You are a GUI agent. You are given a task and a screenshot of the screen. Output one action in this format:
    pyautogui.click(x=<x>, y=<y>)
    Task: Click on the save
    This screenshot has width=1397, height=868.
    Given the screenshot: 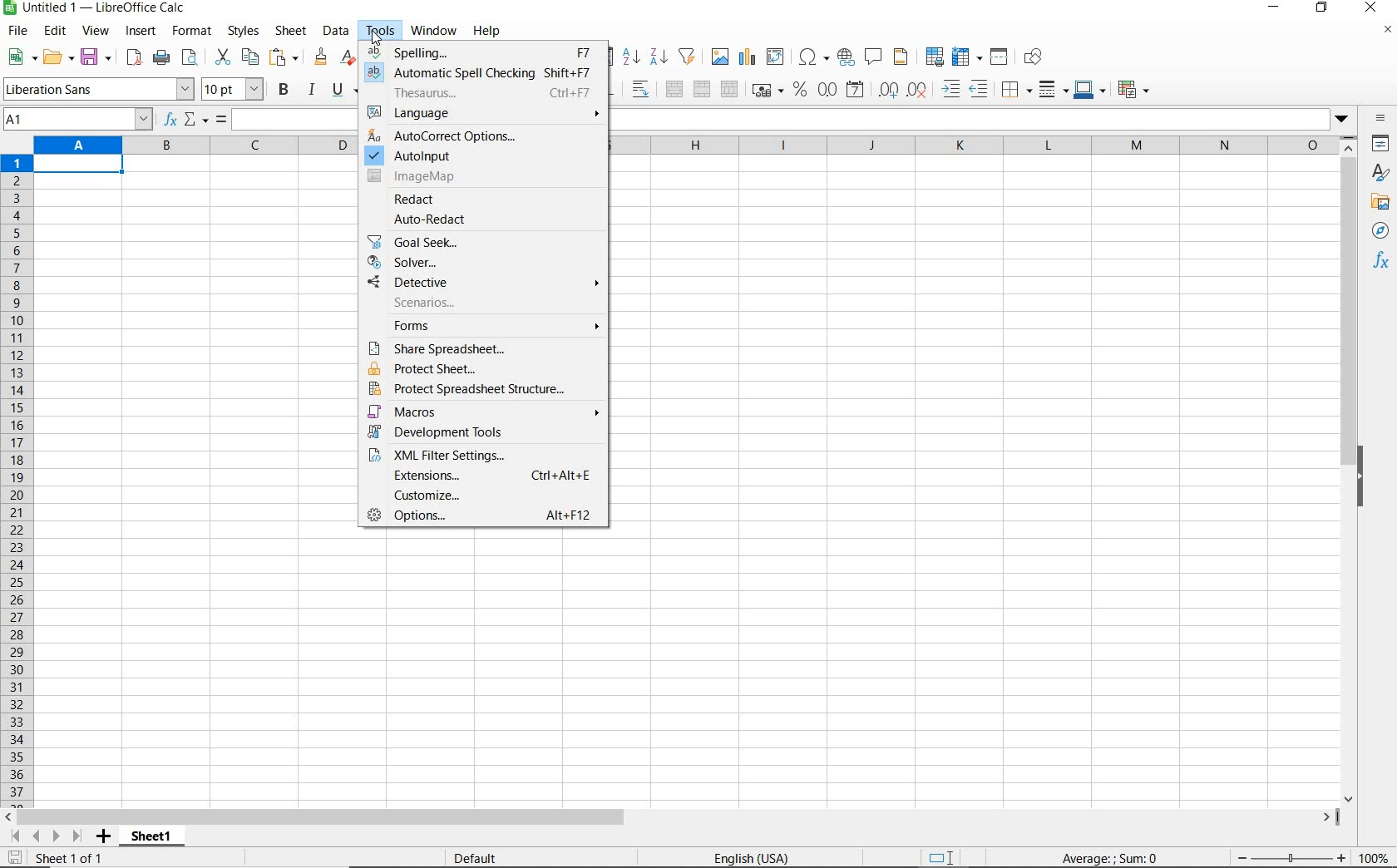 What is the action you would take?
    pyautogui.click(x=96, y=57)
    